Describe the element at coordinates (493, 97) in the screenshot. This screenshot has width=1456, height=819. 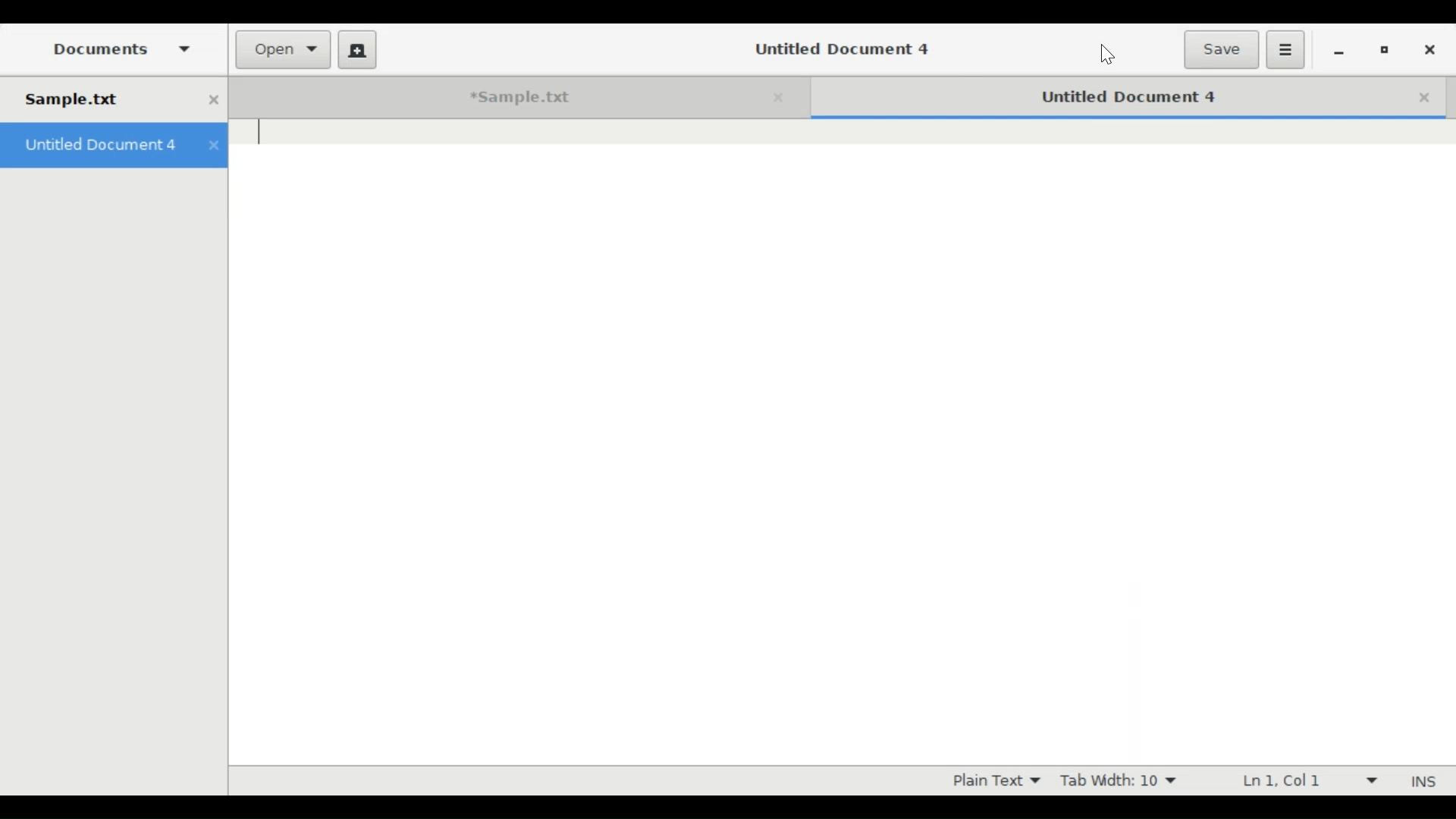
I see `*Sample.txt tab` at that location.